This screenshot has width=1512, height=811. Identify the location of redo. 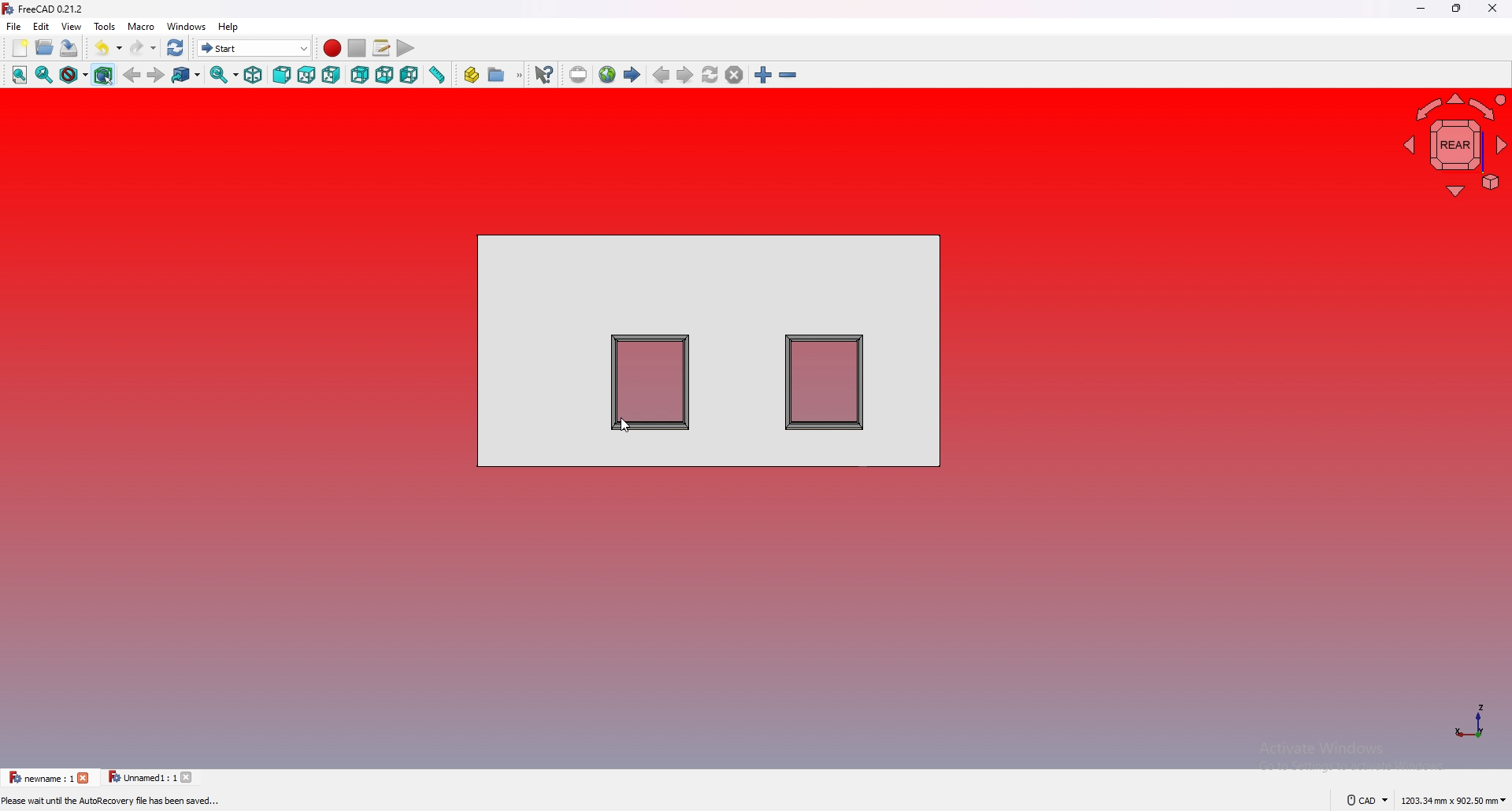
(143, 46).